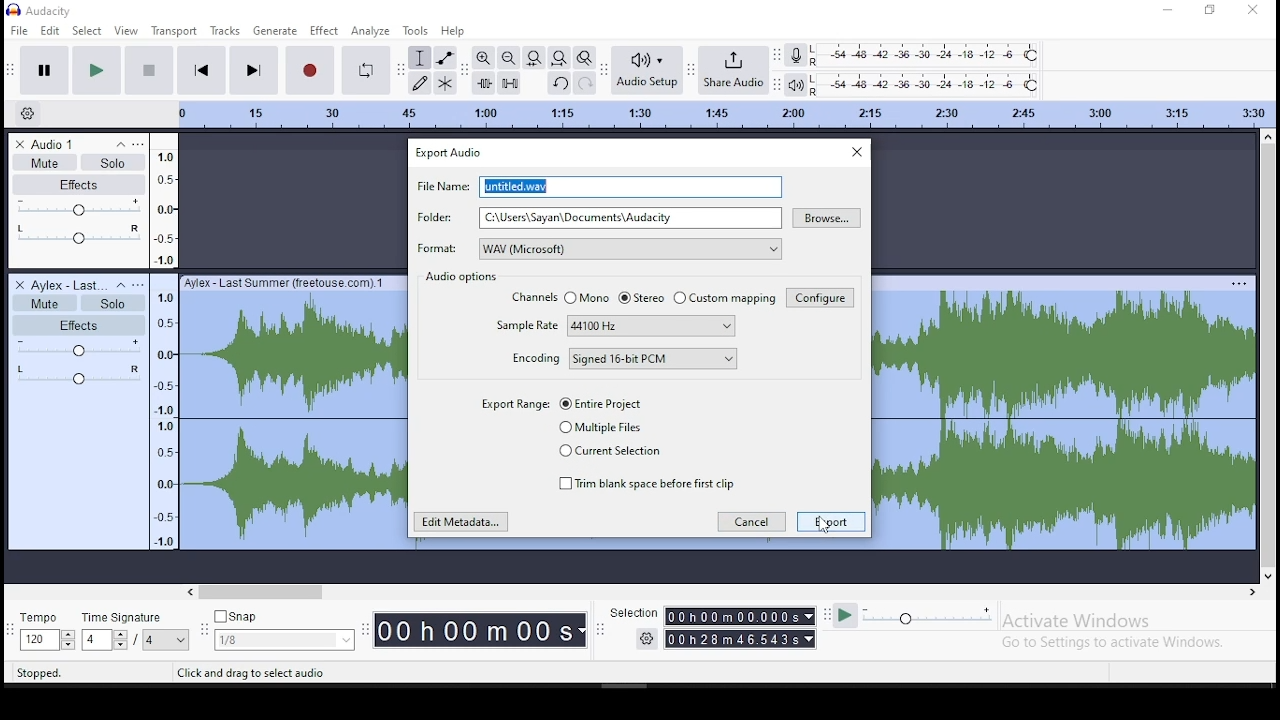 The width and height of the screenshot is (1280, 720). I want to click on scroll bar, so click(732, 589).